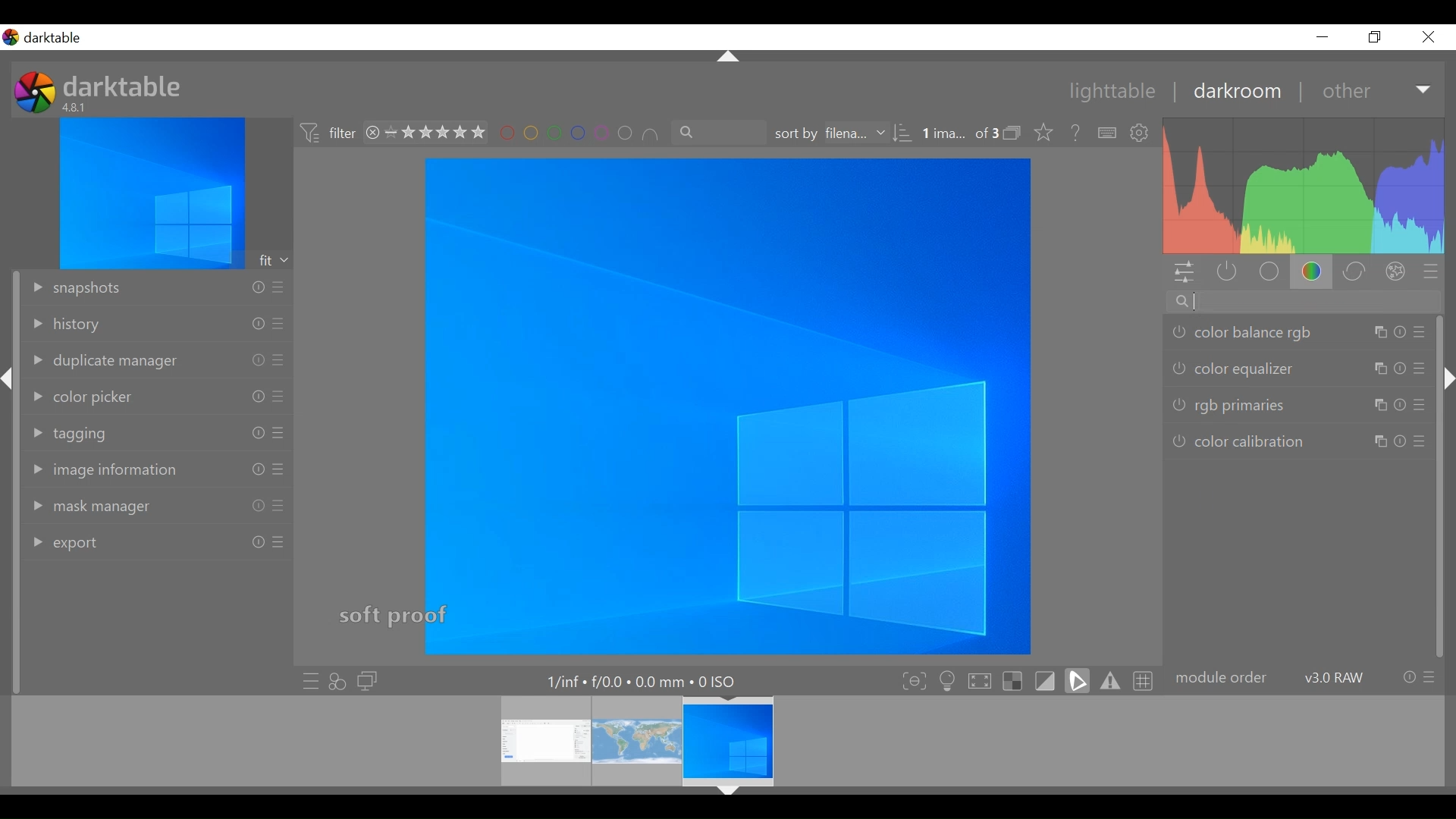  What do you see at coordinates (368, 681) in the screenshot?
I see `display a second darkroom image window` at bounding box center [368, 681].